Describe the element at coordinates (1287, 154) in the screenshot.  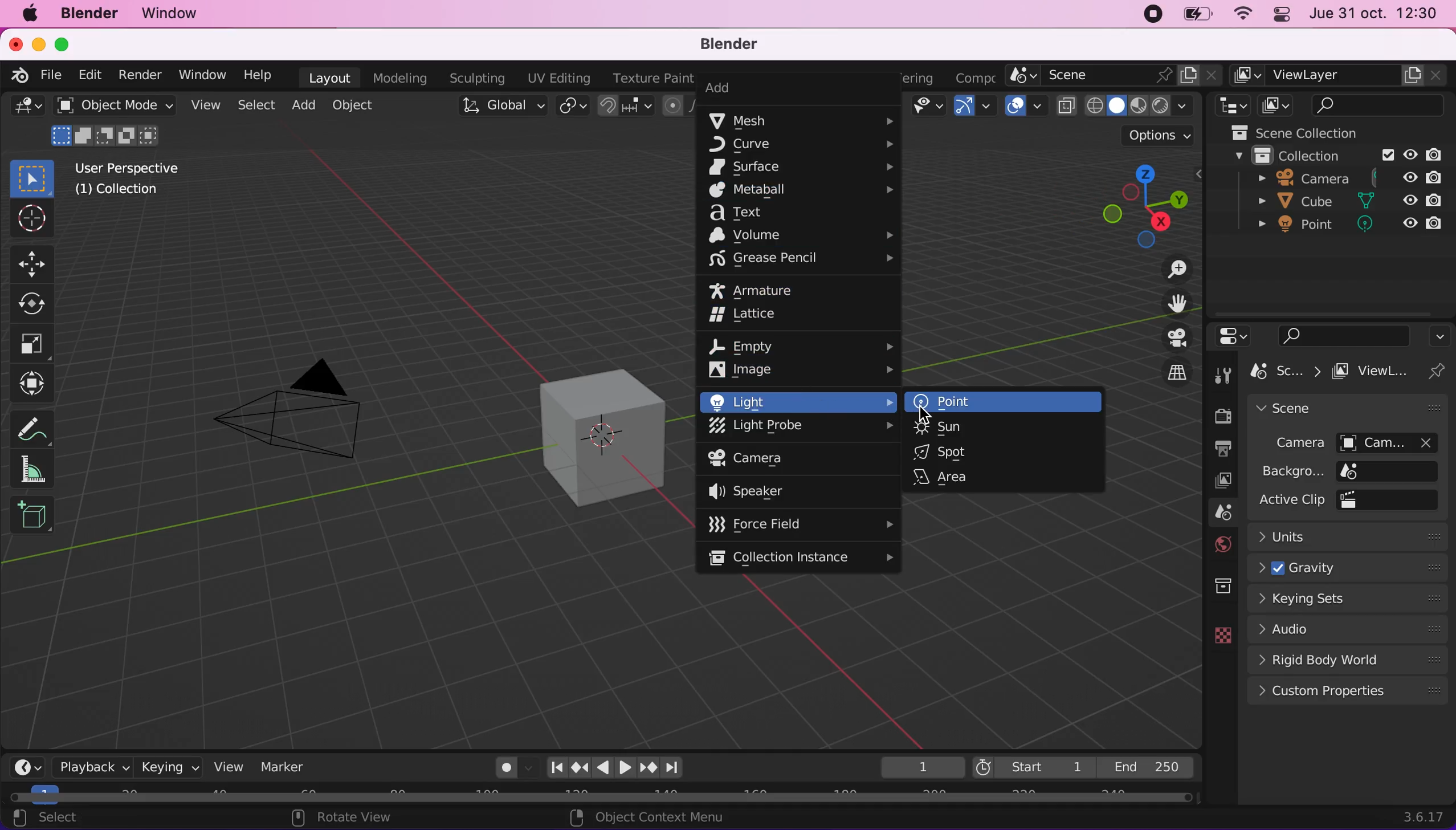
I see `collection` at that location.